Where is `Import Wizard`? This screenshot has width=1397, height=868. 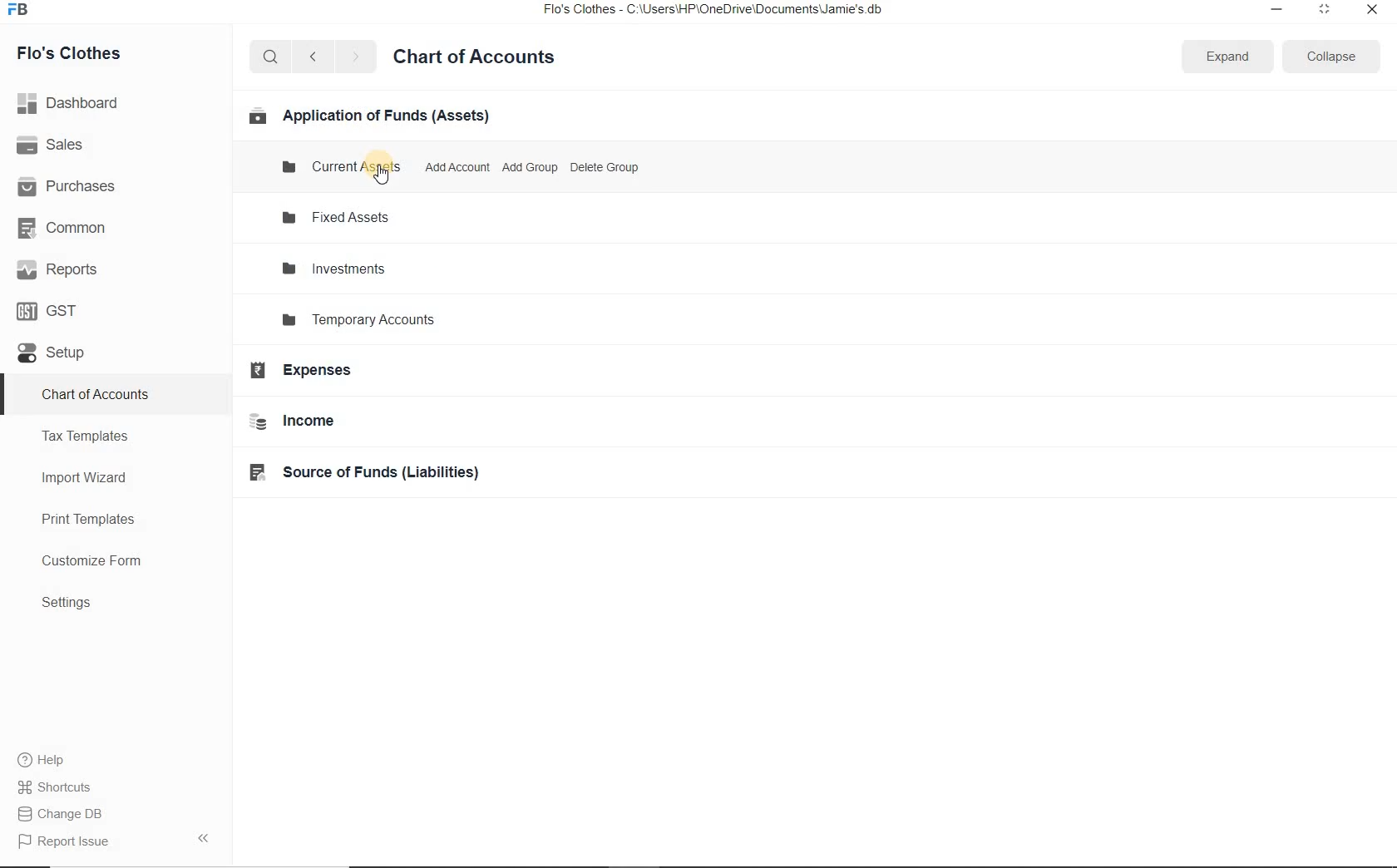
Import Wizard is located at coordinates (105, 480).